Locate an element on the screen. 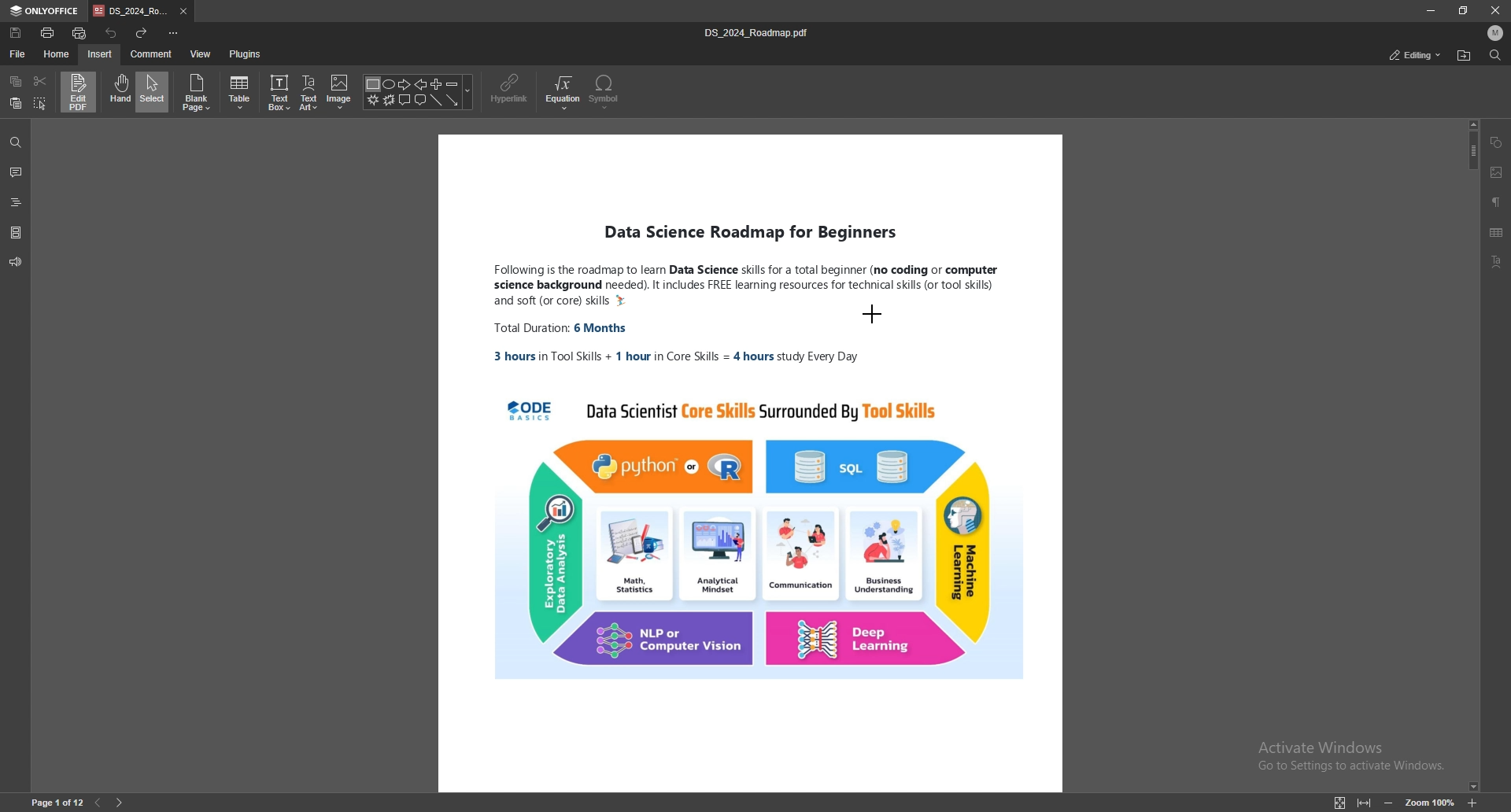 The height and width of the screenshot is (812, 1511). profile is located at coordinates (1496, 33).